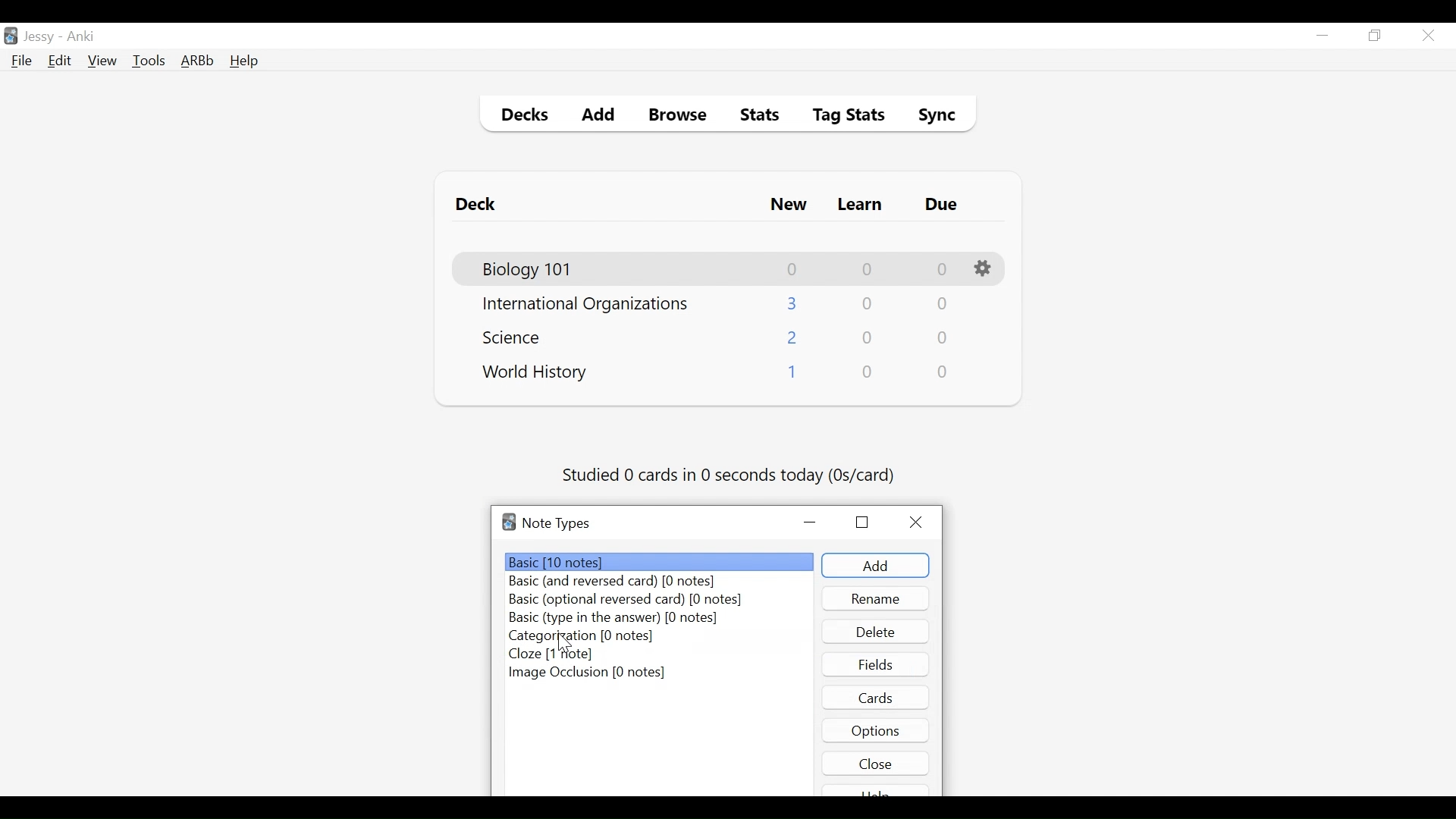 Image resolution: width=1456 pixels, height=819 pixels. What do you see at coordinates (793, 269) in the screenshot?
I see `New Card Count` at bounding box center [793, 269].